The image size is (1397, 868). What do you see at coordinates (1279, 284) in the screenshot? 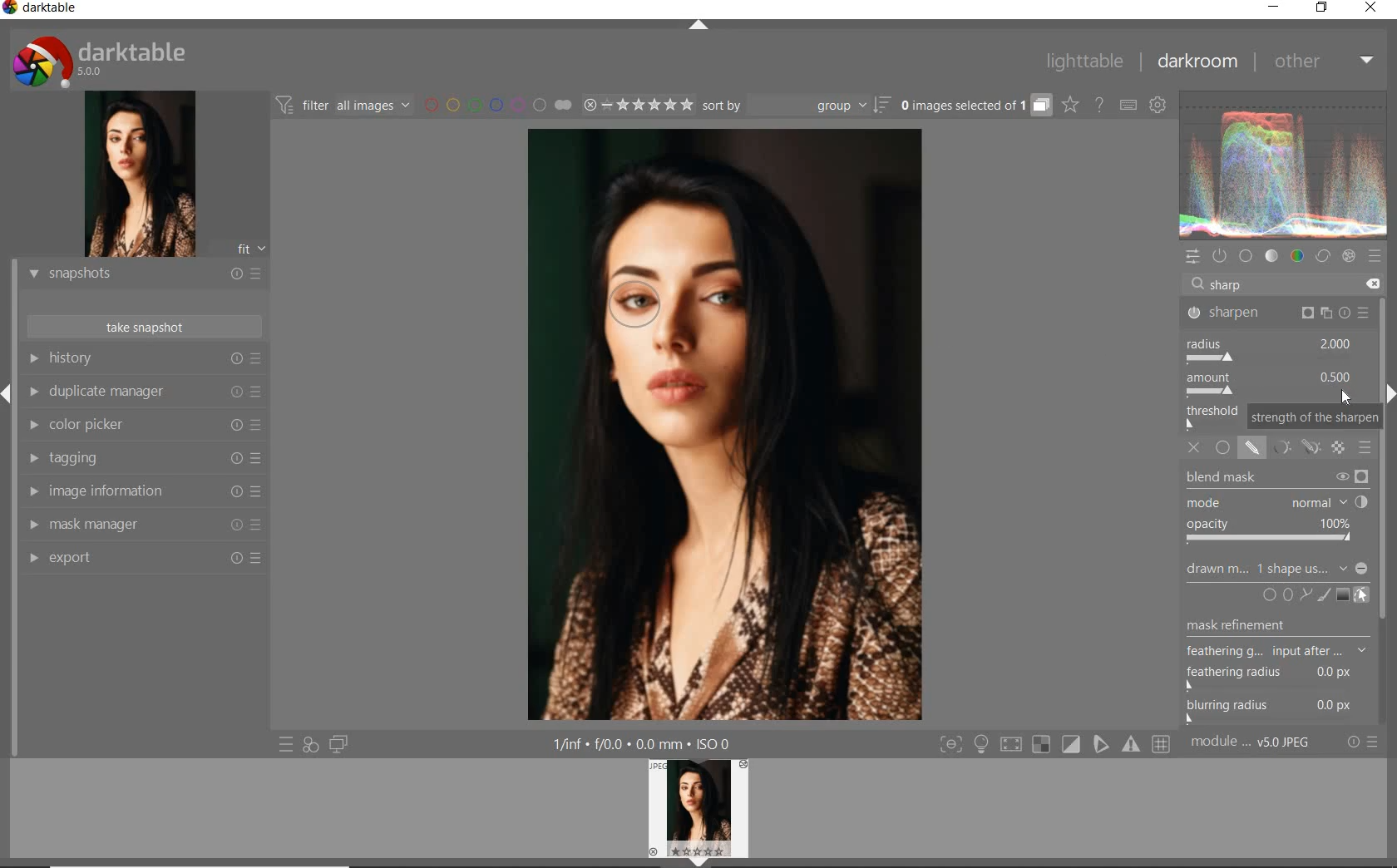
I see `search modules by name` at bounding box center [1279, 284].